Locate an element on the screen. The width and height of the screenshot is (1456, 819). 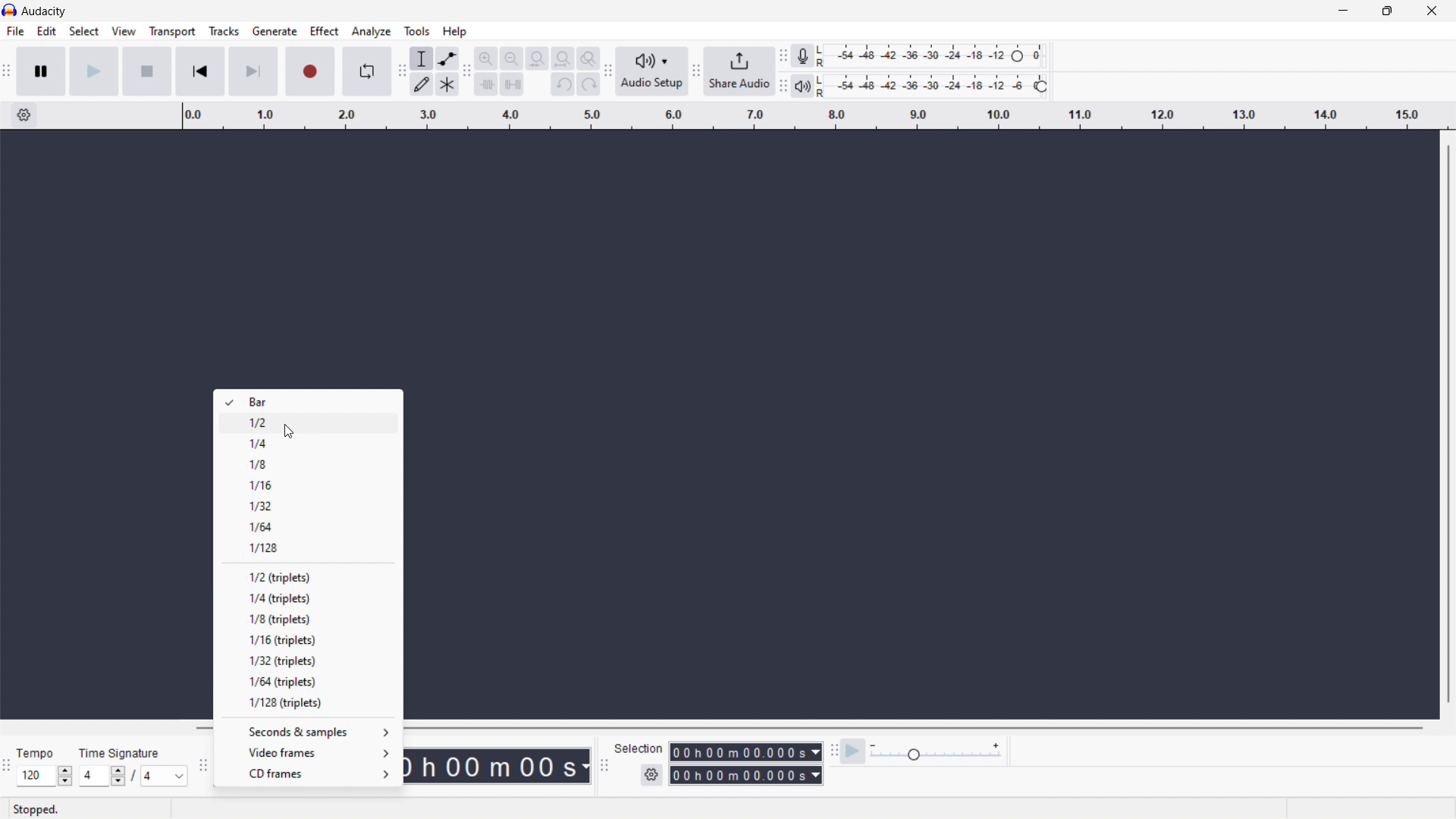
vertical scrollbar is located at coordinates (1453, 423).